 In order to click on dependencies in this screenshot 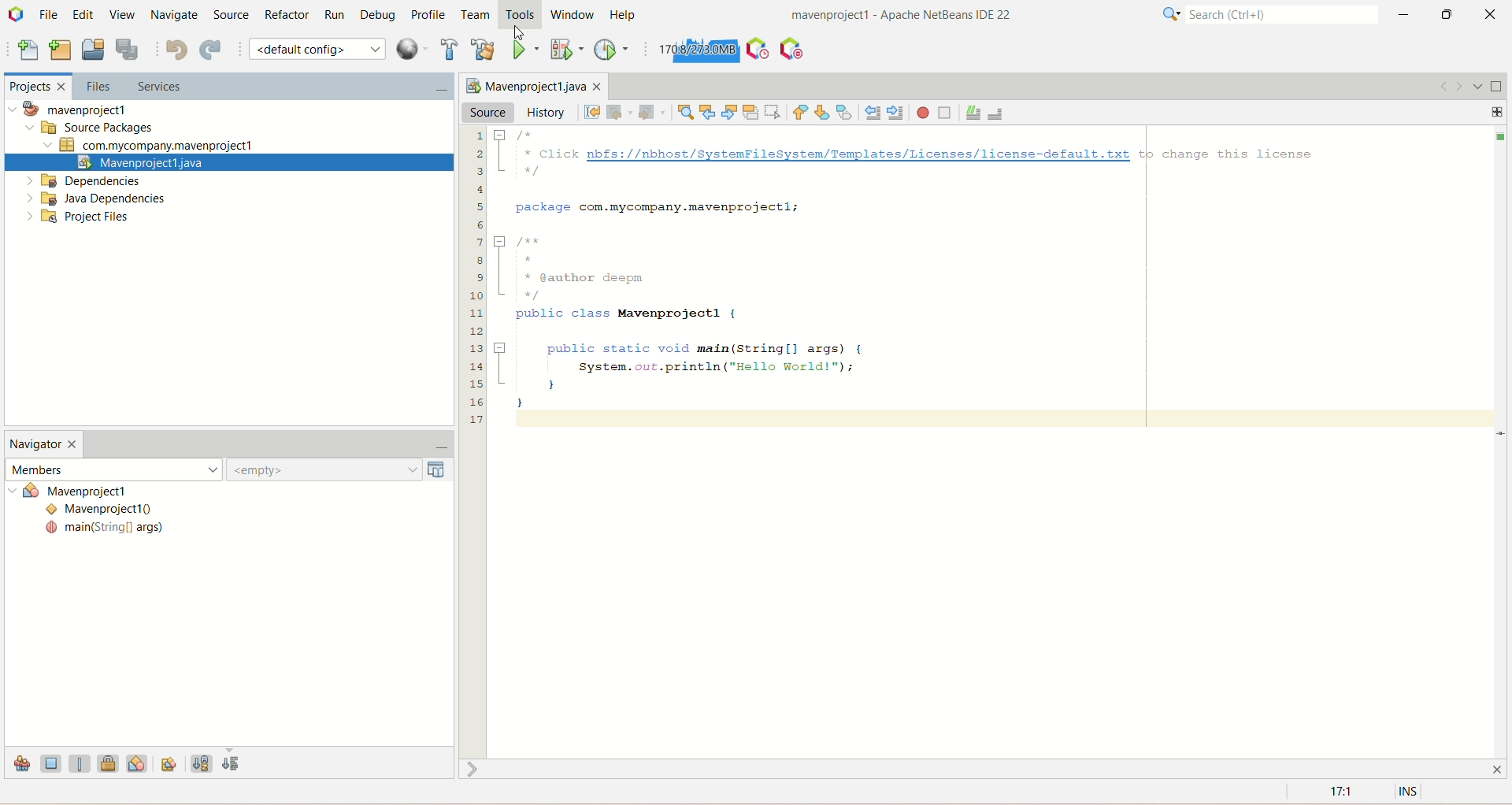, I will do `click(83, 181)`.